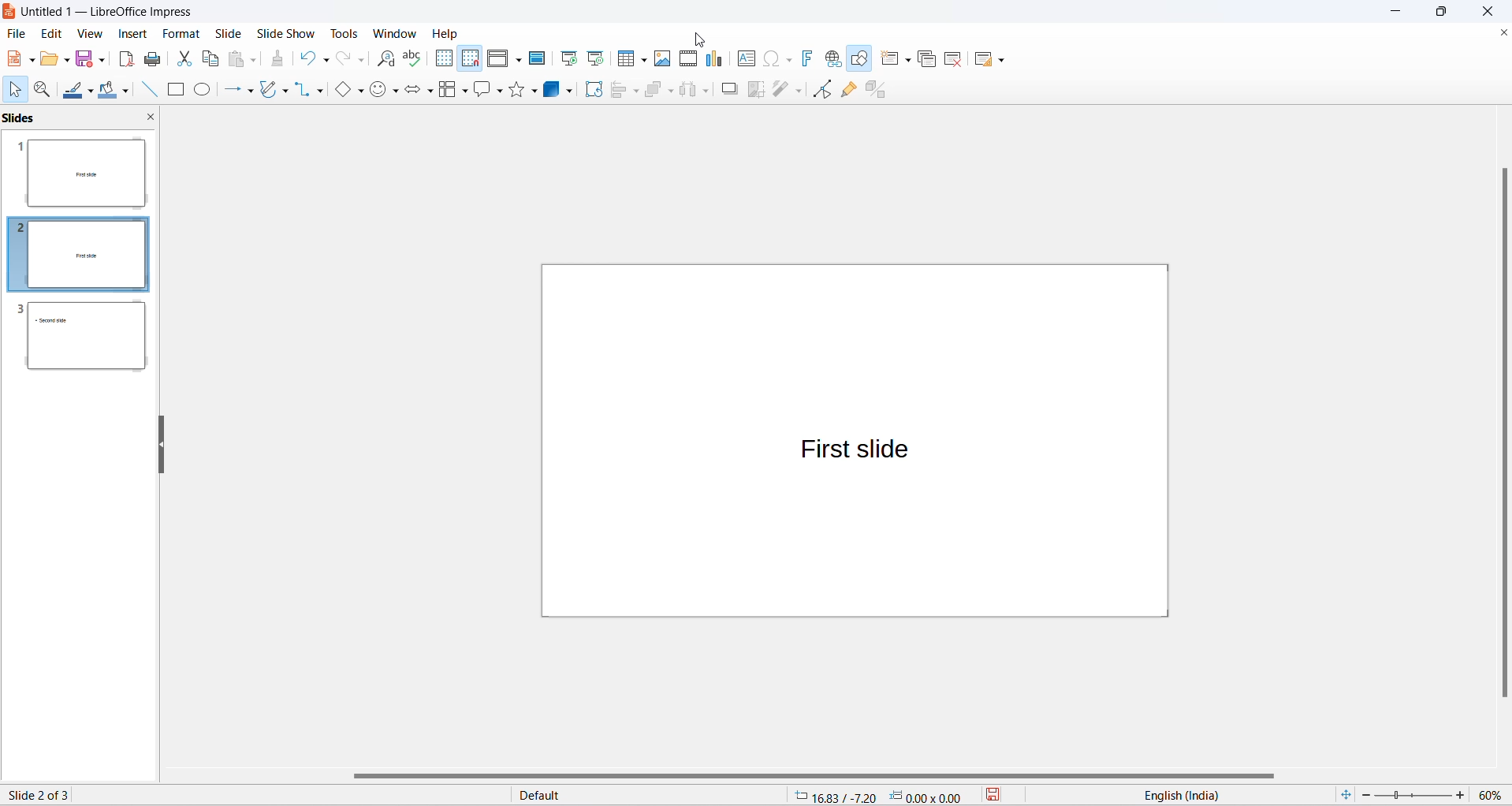 The image size is (1512, 806). What do you see at coordinates (758, 91) in the screenshot?
I see `crop image ` at bounding box center [758, 91].